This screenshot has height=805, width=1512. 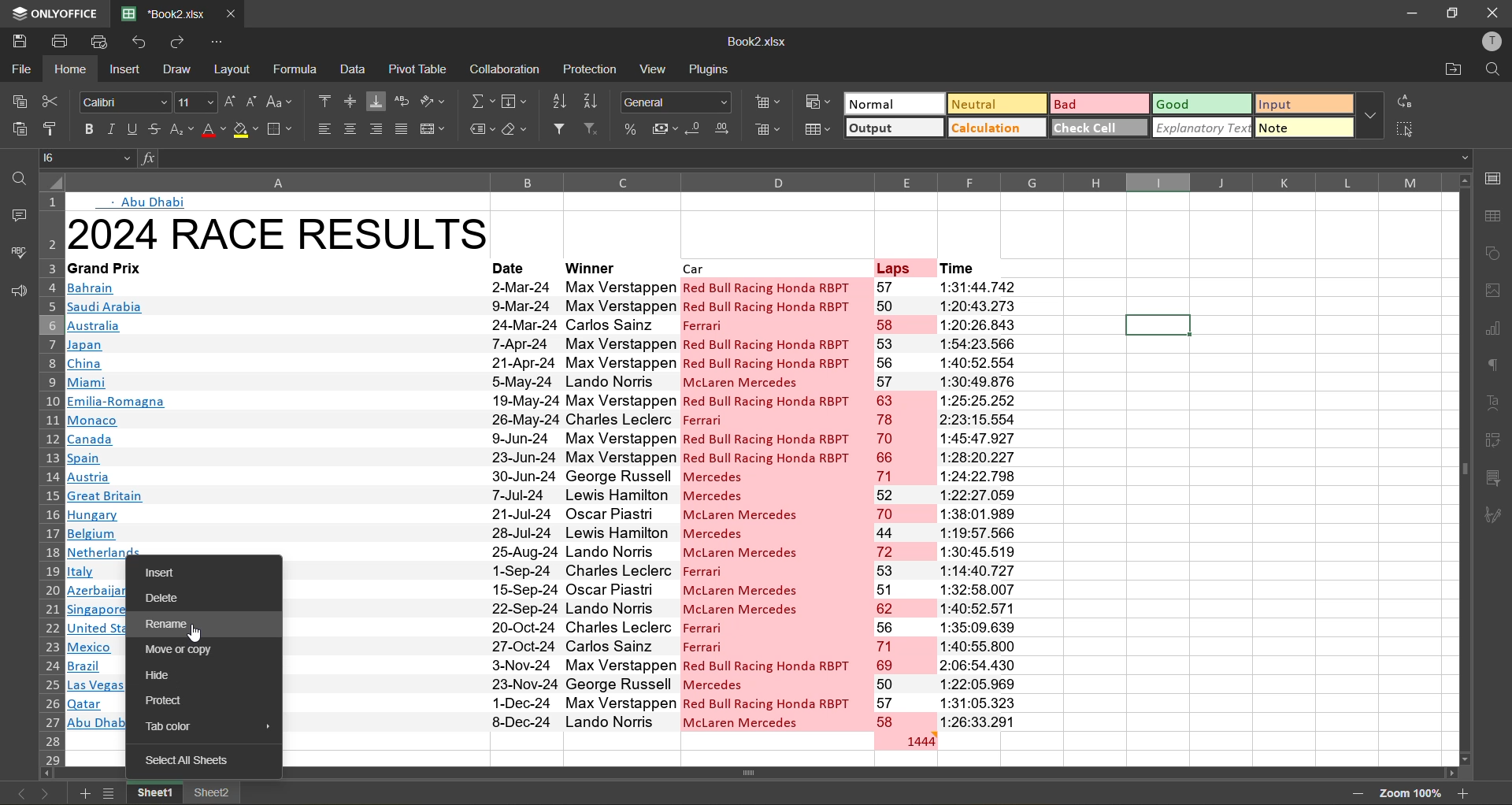 I want to click on table, so click(x=1494, y=214).